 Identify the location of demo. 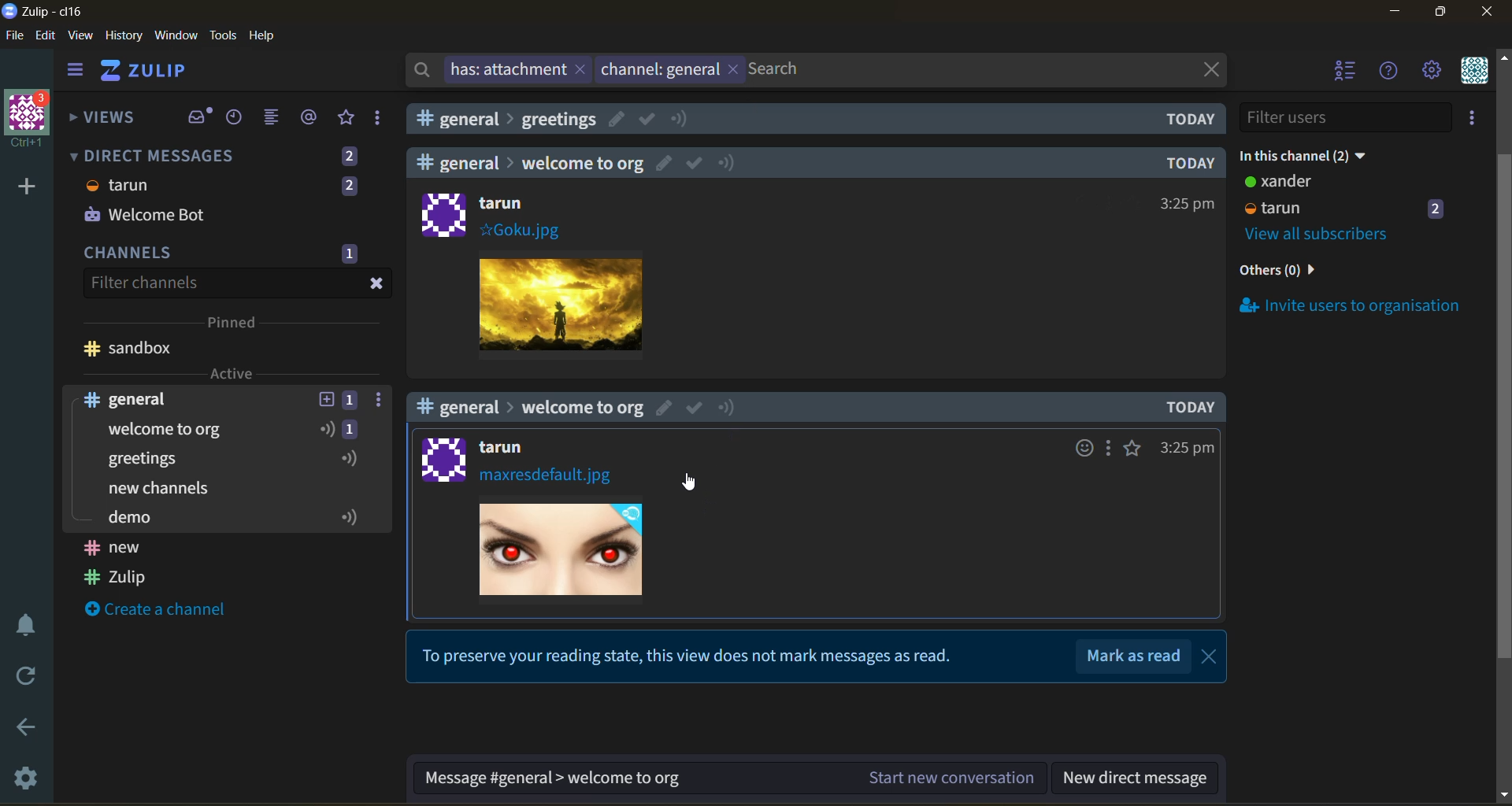
(131, 519).